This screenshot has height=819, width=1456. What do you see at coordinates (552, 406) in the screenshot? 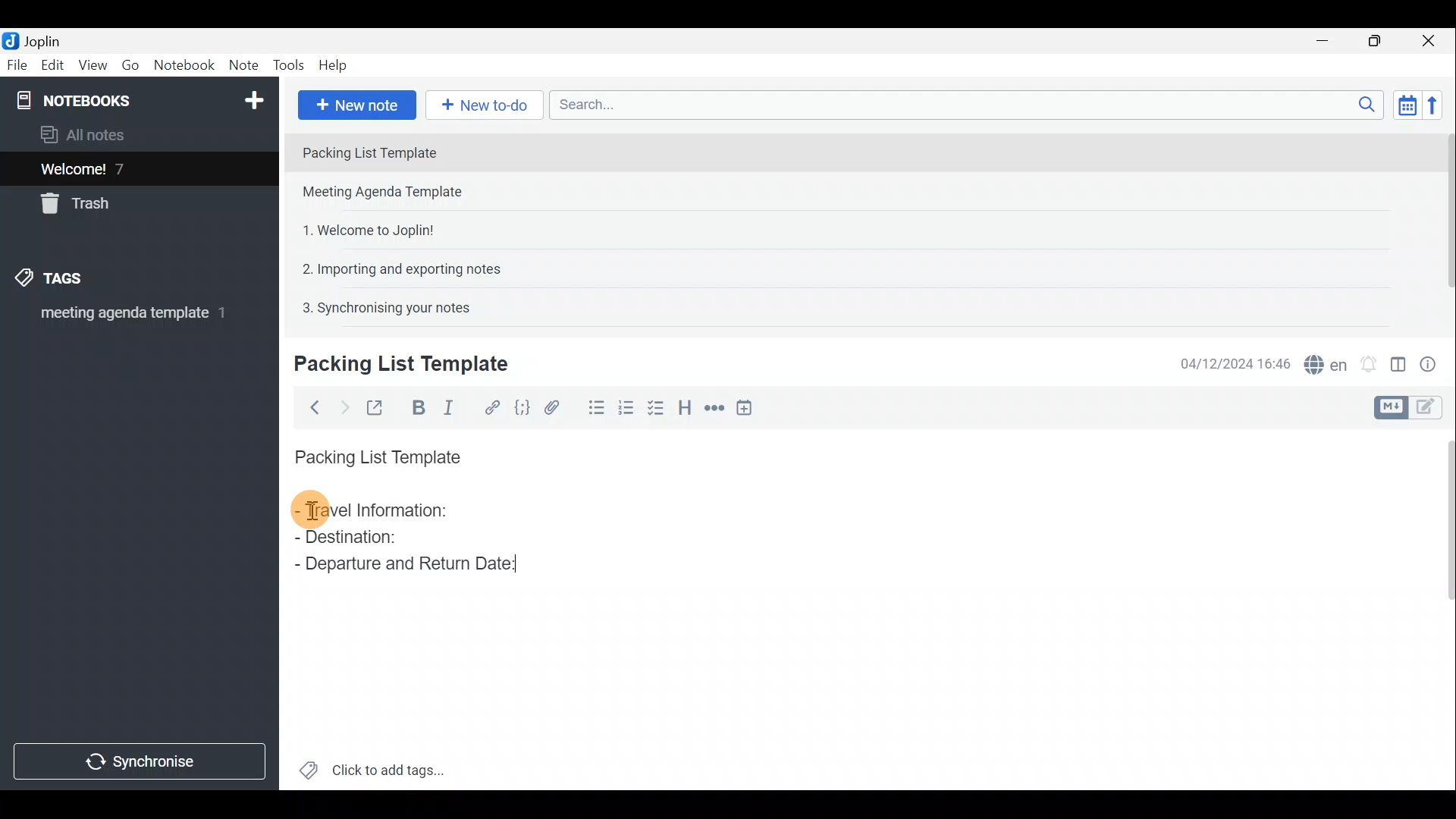
I see `Attach file` at bounding box center [552, 406].